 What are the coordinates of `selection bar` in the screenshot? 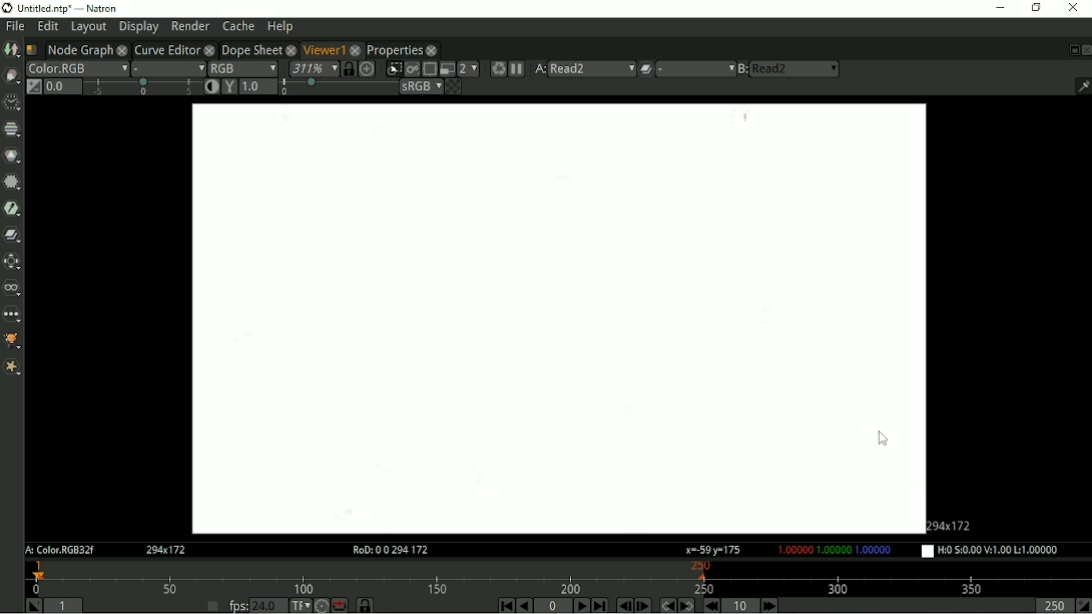 It's located at (337, 88).